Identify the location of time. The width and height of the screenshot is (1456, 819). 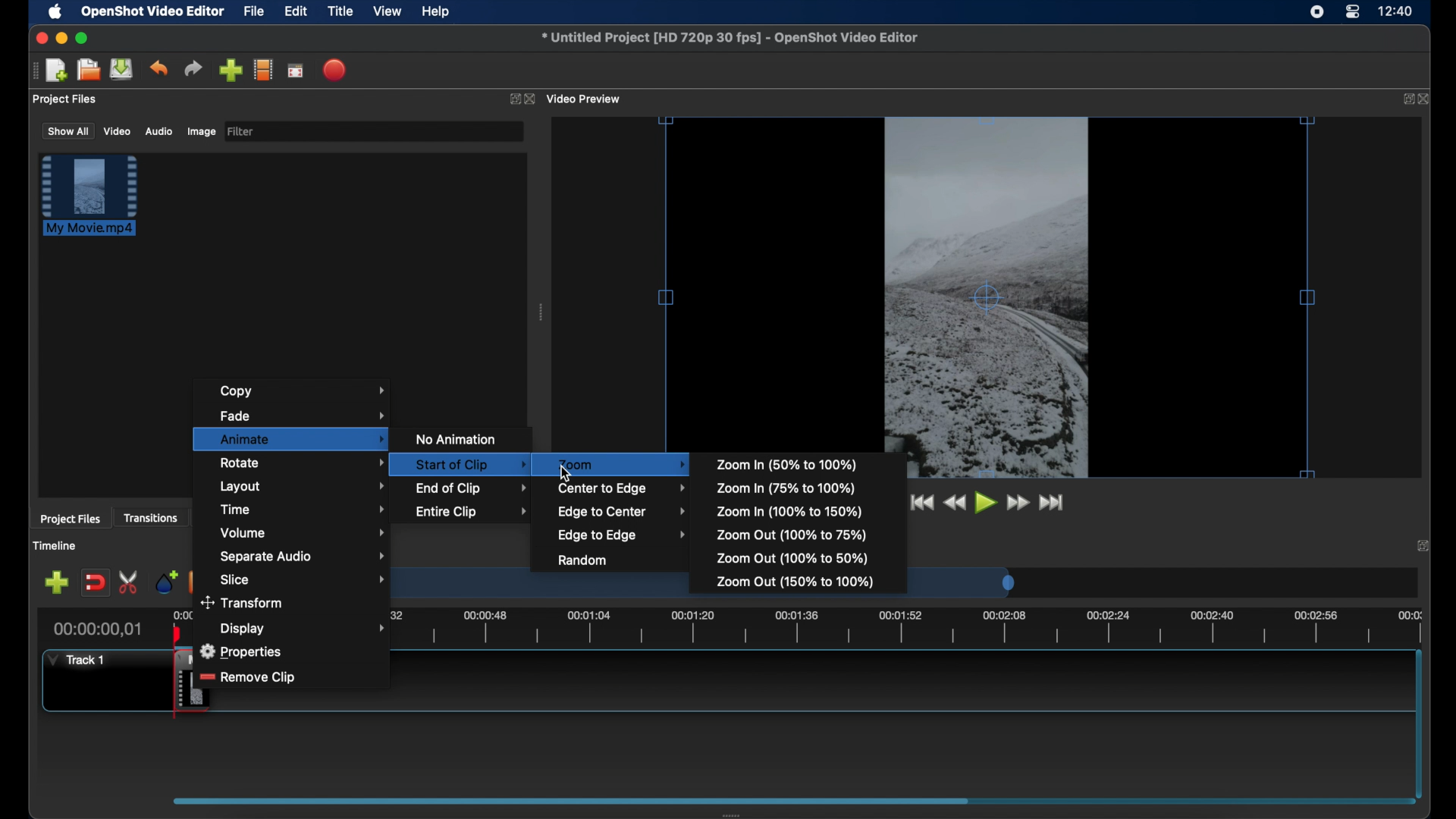
(1397, 12).